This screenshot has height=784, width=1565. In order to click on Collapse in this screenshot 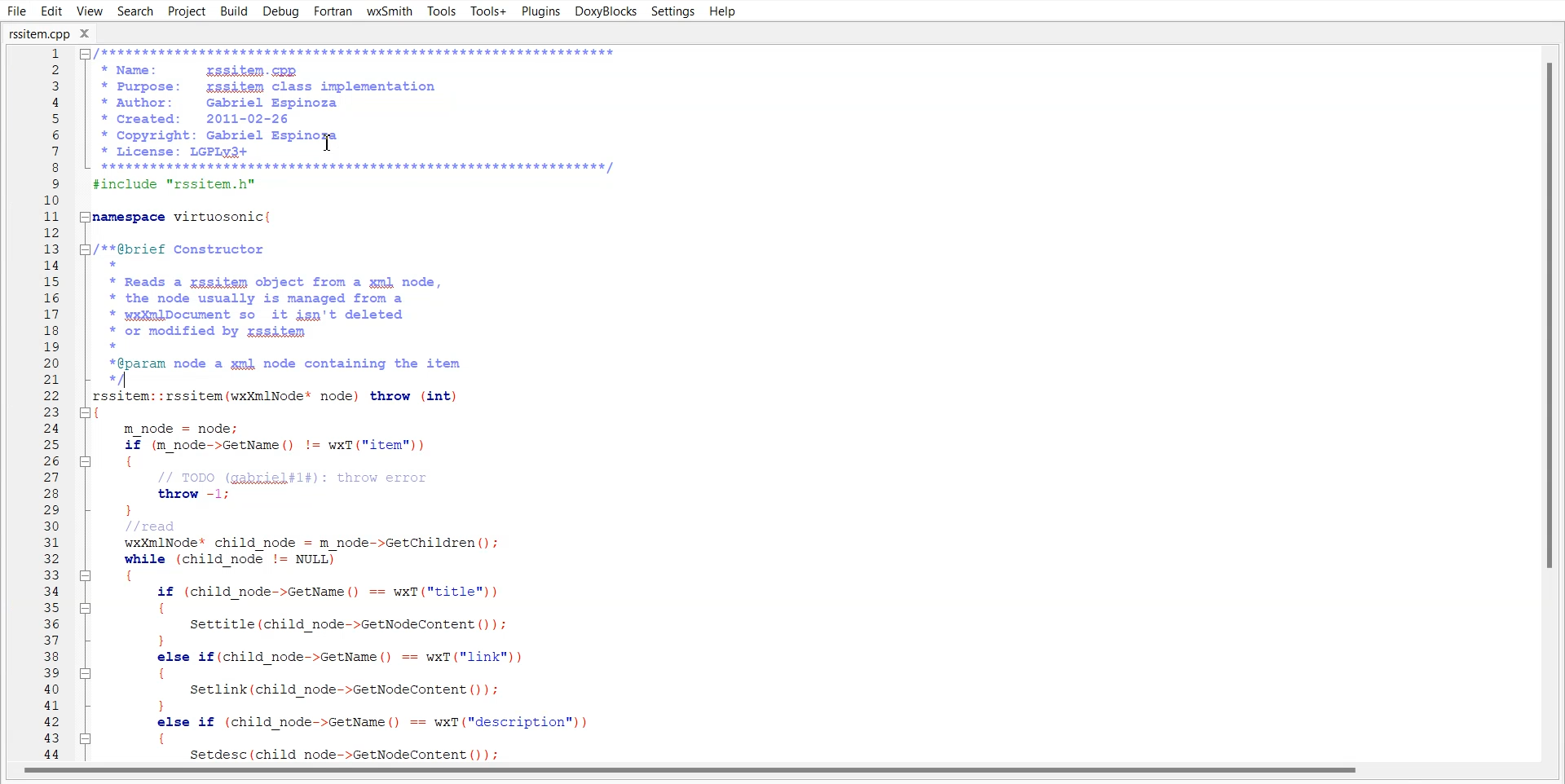, I will do `click(86, 461)`.